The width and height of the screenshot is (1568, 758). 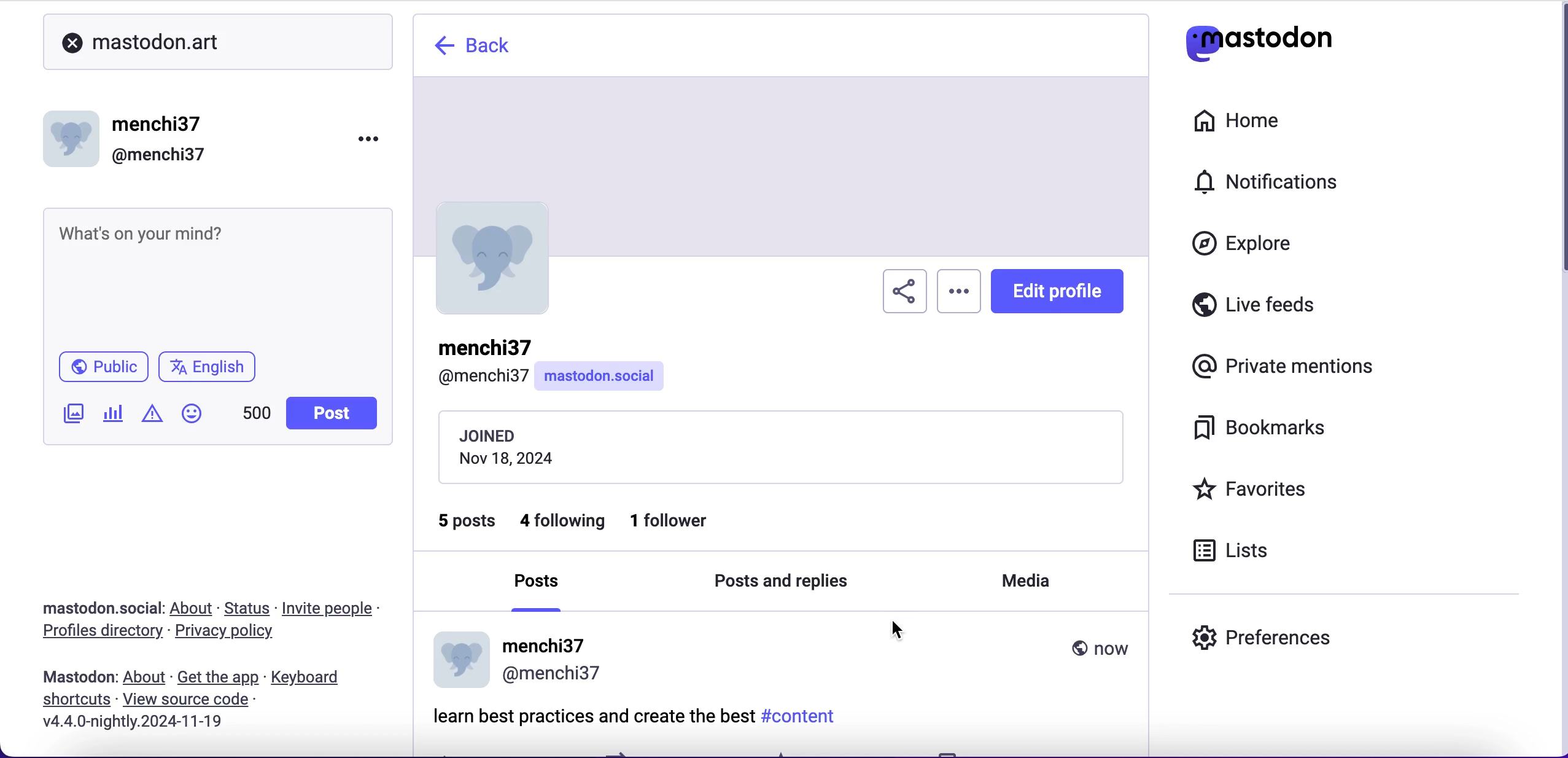 What do you see at coordinates (685, 523) in the screenshot?
I see ` 1 followe` at bounding box center [685, 523].